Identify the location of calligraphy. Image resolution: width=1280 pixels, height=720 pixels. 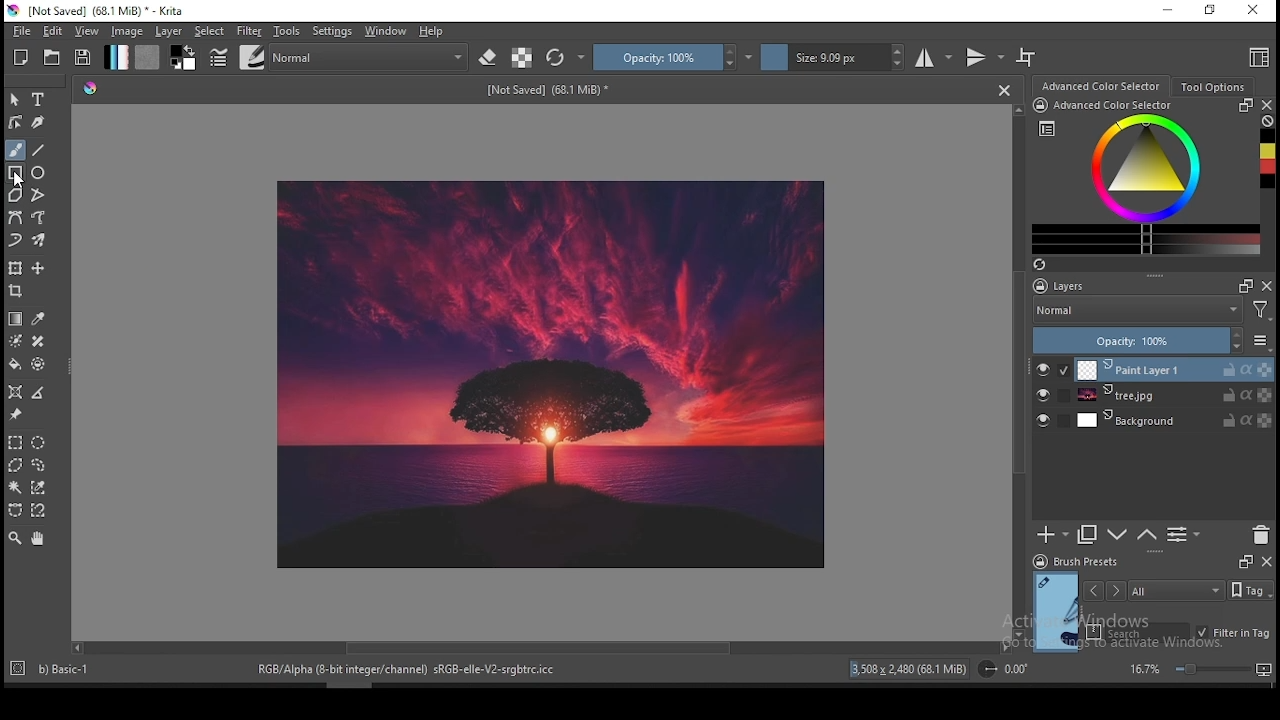
(37, 122).